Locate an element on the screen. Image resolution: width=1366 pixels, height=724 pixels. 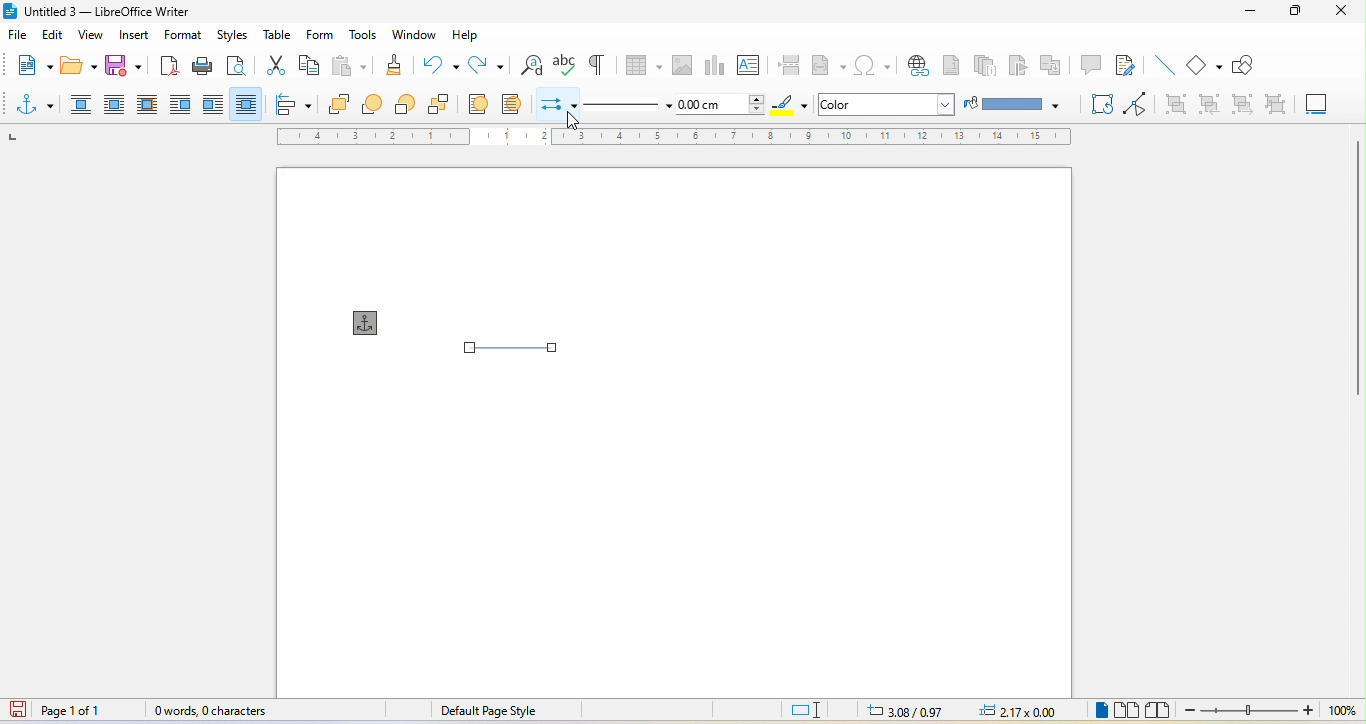
fill color is located at coordinates (1014, 104).